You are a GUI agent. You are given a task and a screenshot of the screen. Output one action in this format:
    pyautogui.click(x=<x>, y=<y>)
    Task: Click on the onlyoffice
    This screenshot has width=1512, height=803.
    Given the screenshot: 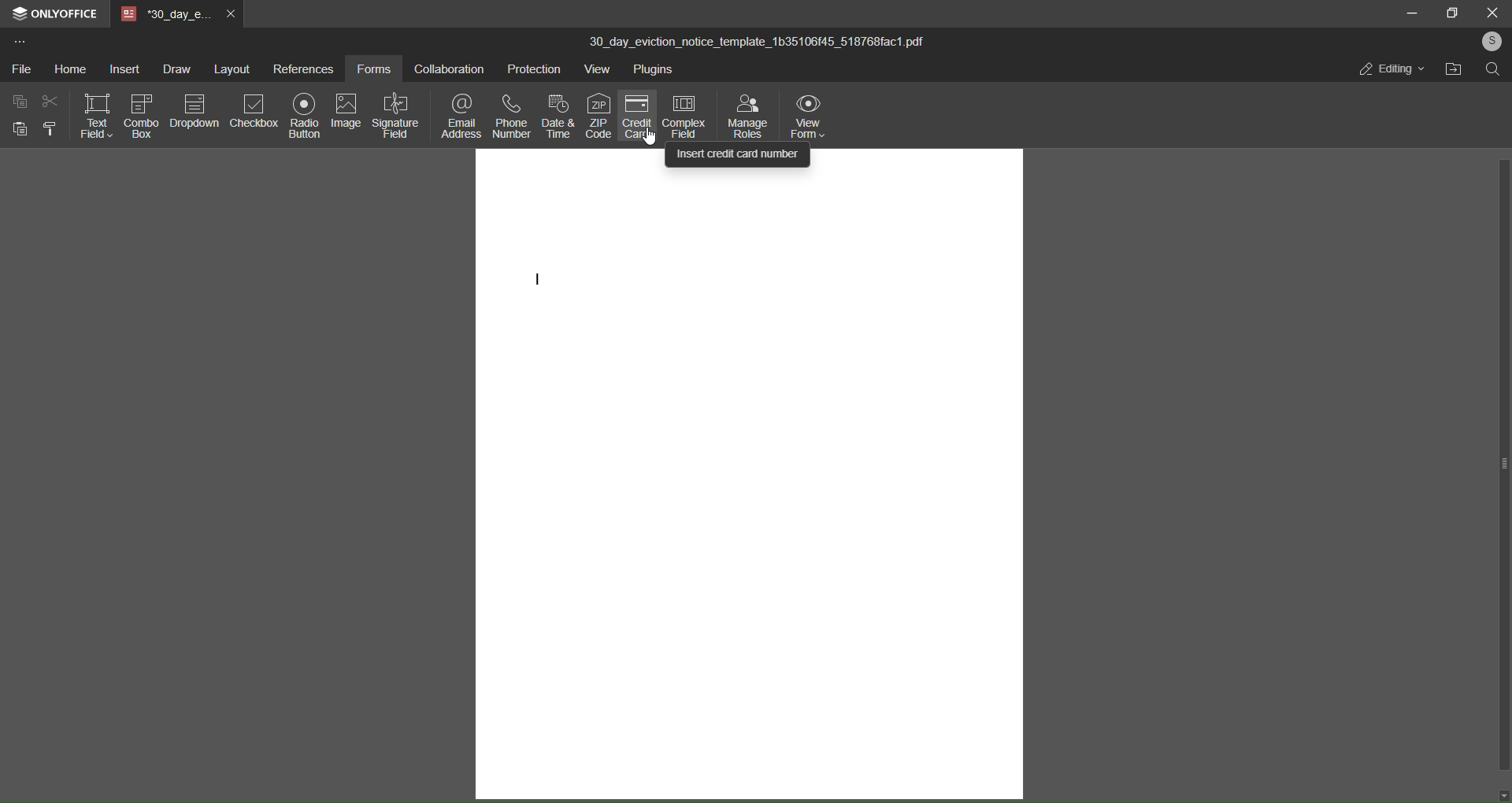 What is the action you would take?
    pyautogui.click(x=64, y=13)
    